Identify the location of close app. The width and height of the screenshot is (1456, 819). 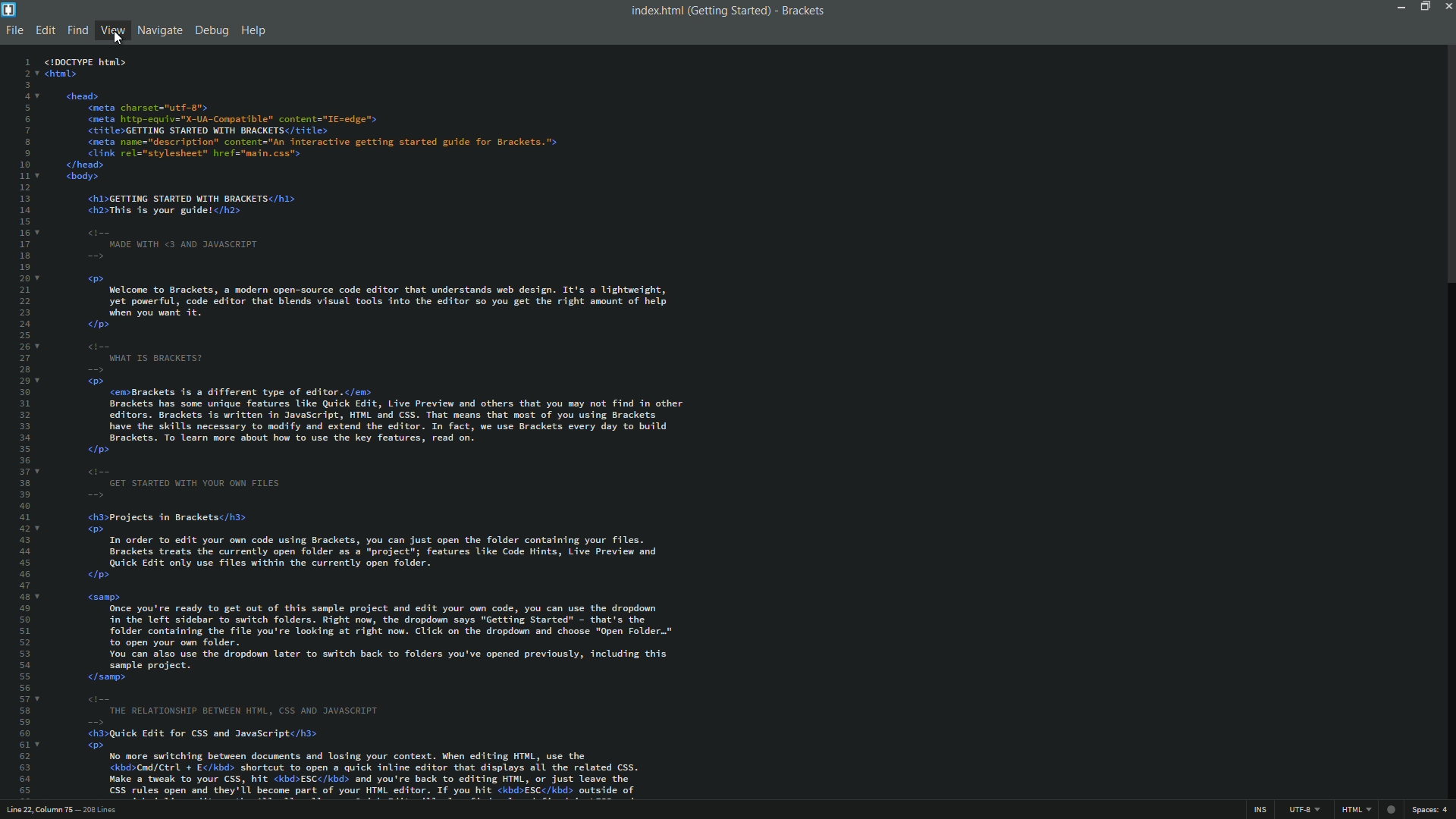
(1447, 6).